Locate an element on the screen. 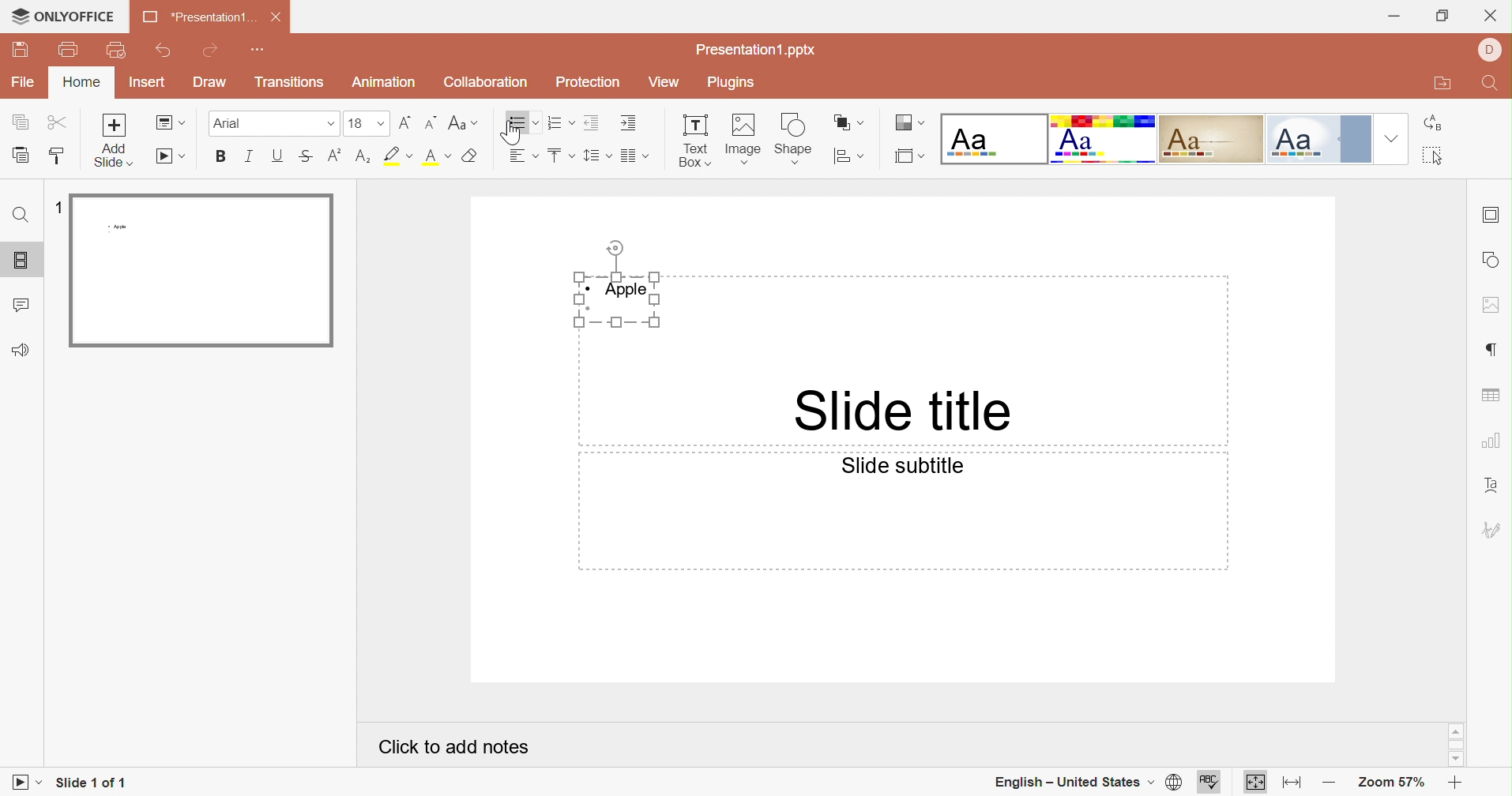  Customize quick access toolbar is located at coordinates (261, 50).